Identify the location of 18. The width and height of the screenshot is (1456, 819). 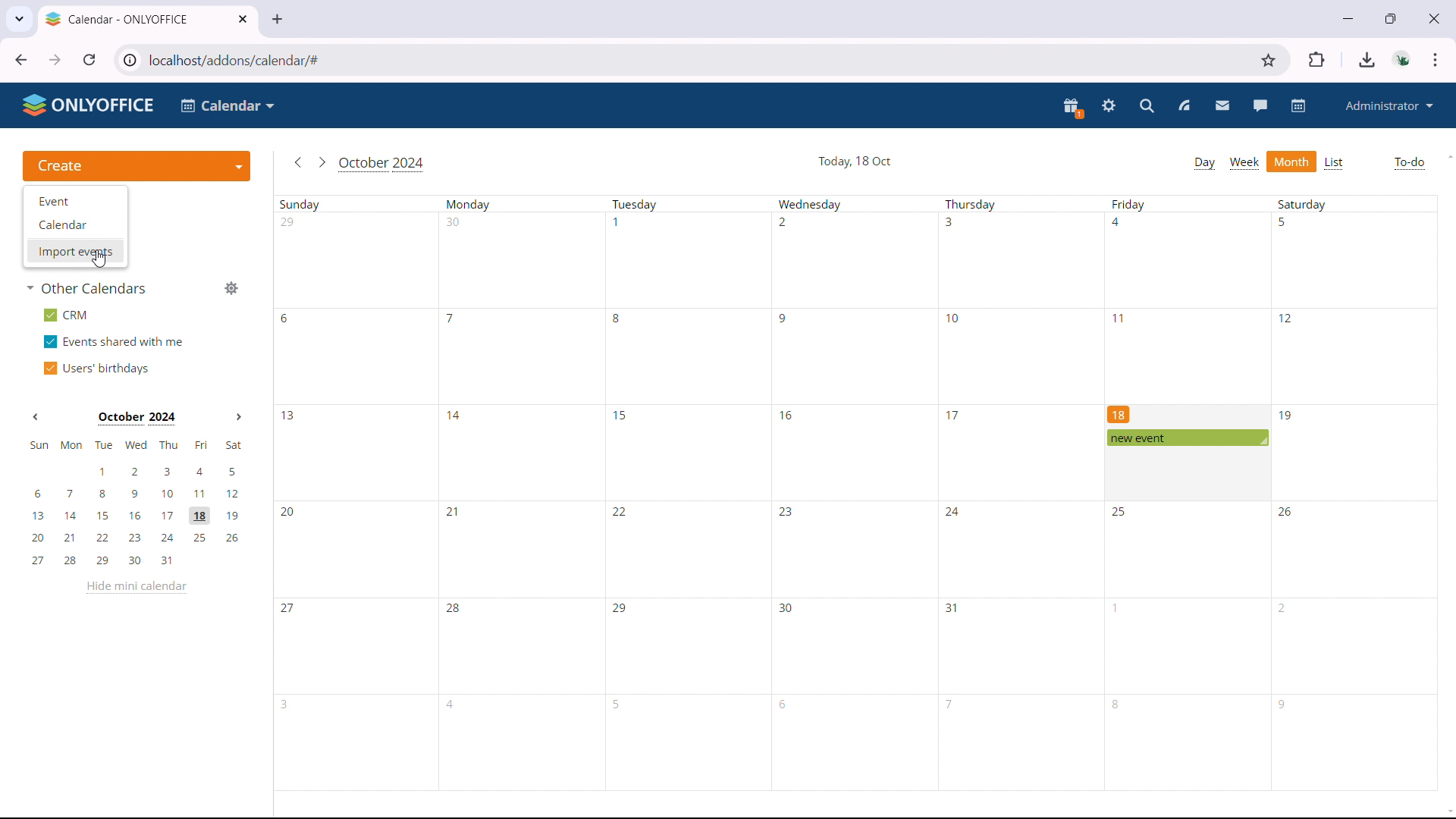
(1119, 413).